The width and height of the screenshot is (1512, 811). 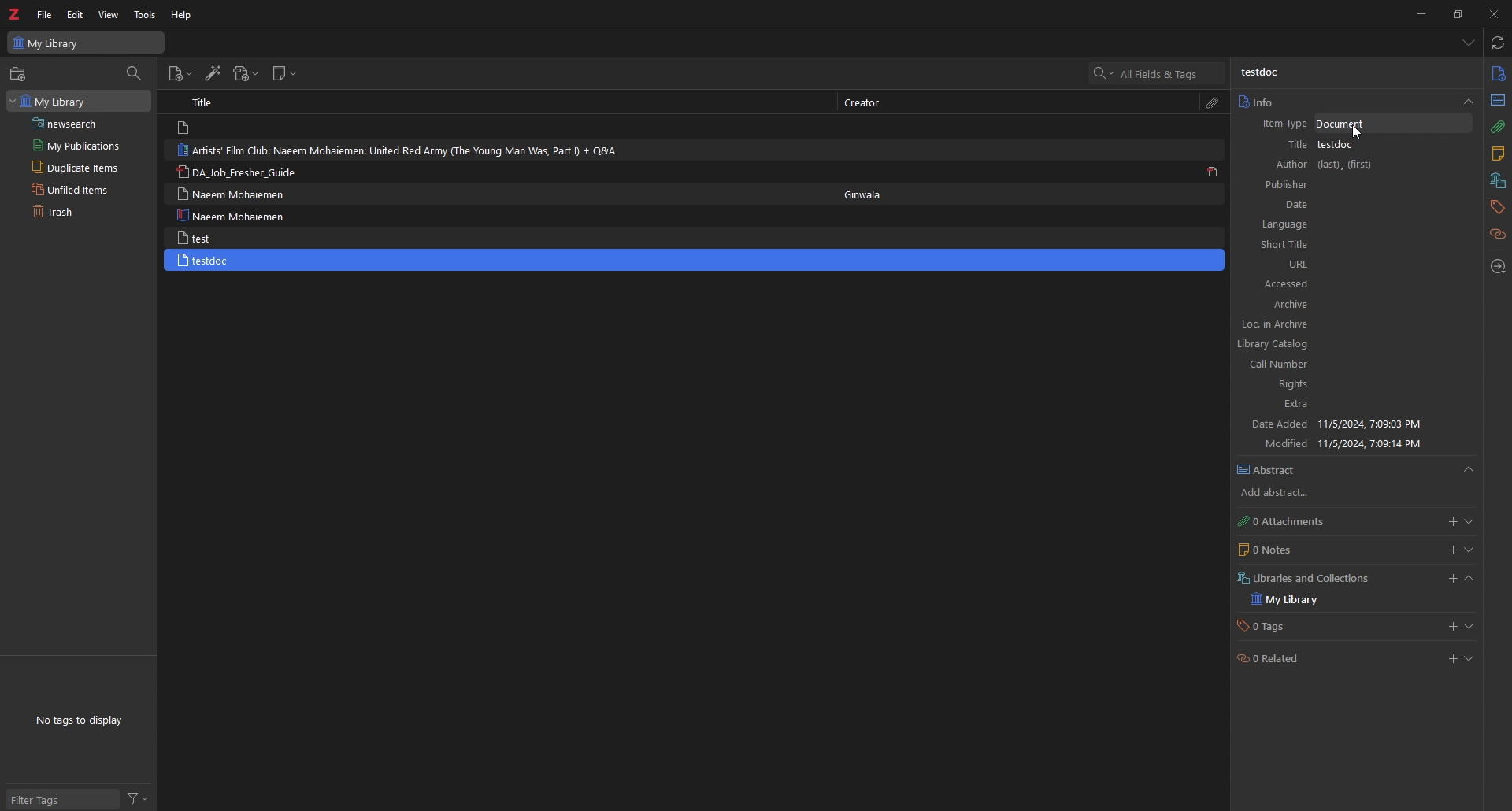 I want to click on search, so click(x=1158, y=72).